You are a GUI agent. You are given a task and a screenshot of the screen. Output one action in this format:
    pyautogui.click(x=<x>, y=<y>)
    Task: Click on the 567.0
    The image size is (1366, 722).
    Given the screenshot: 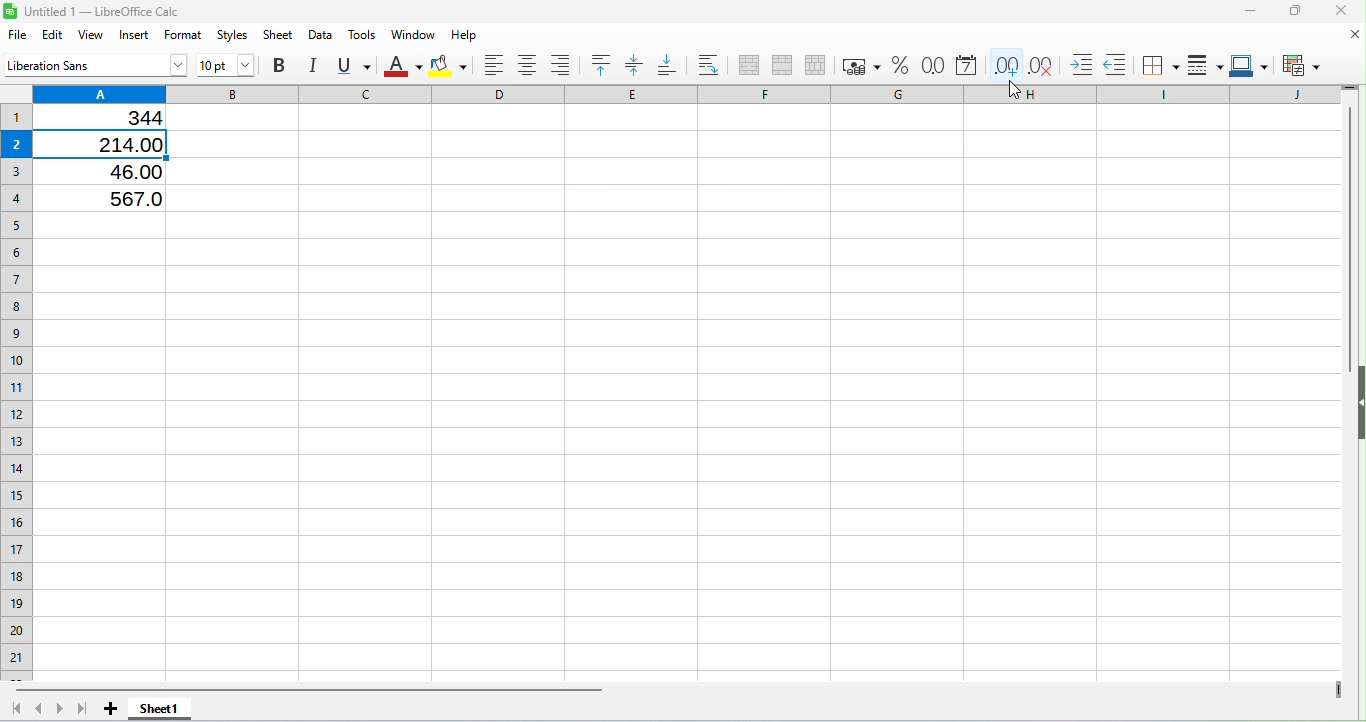 What is the action you would take?
    pyautogui.click(x=114, y=196)
    